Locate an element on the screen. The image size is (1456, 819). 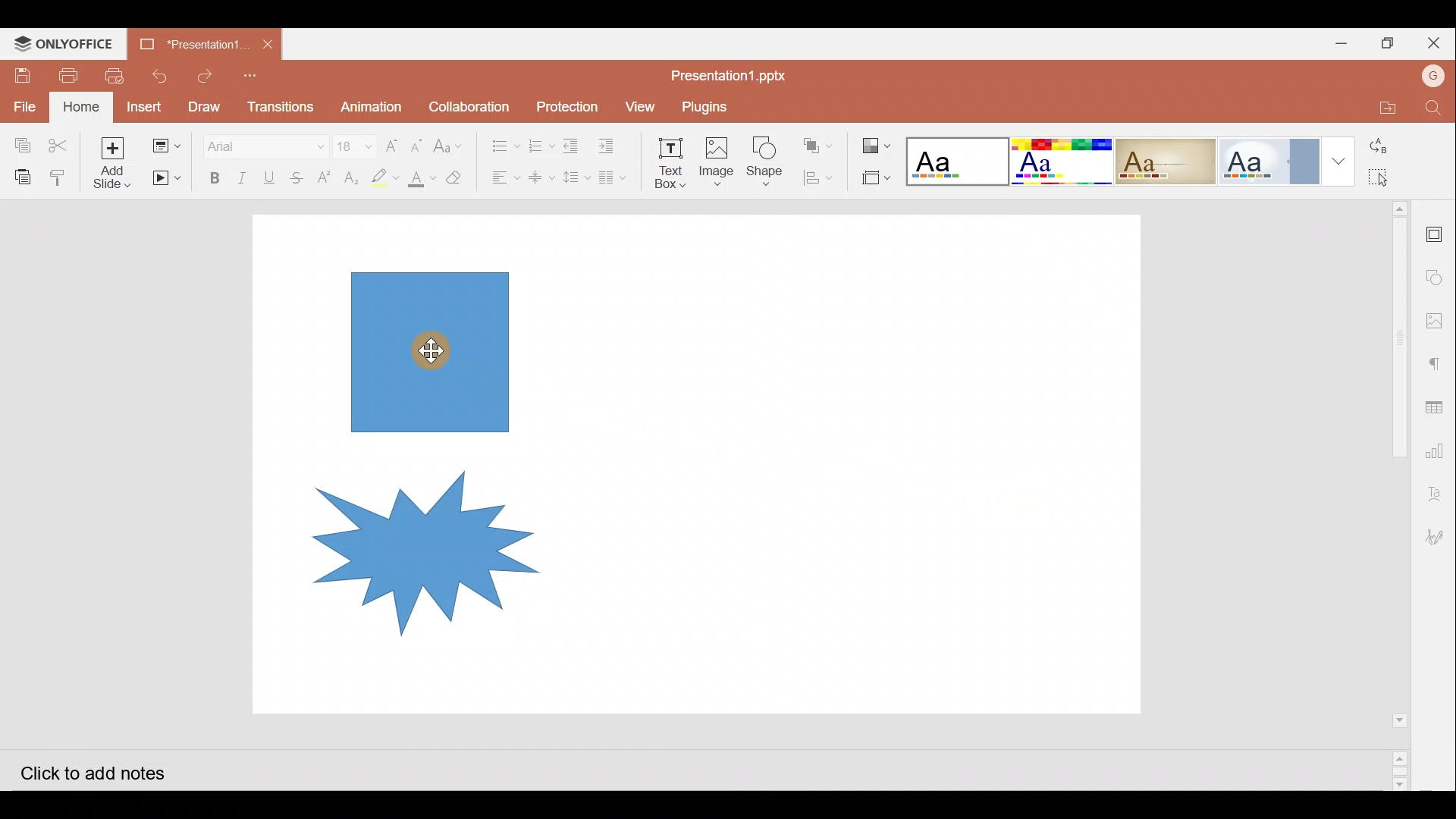
Text Art settings is located at coordinates (1437, 497).